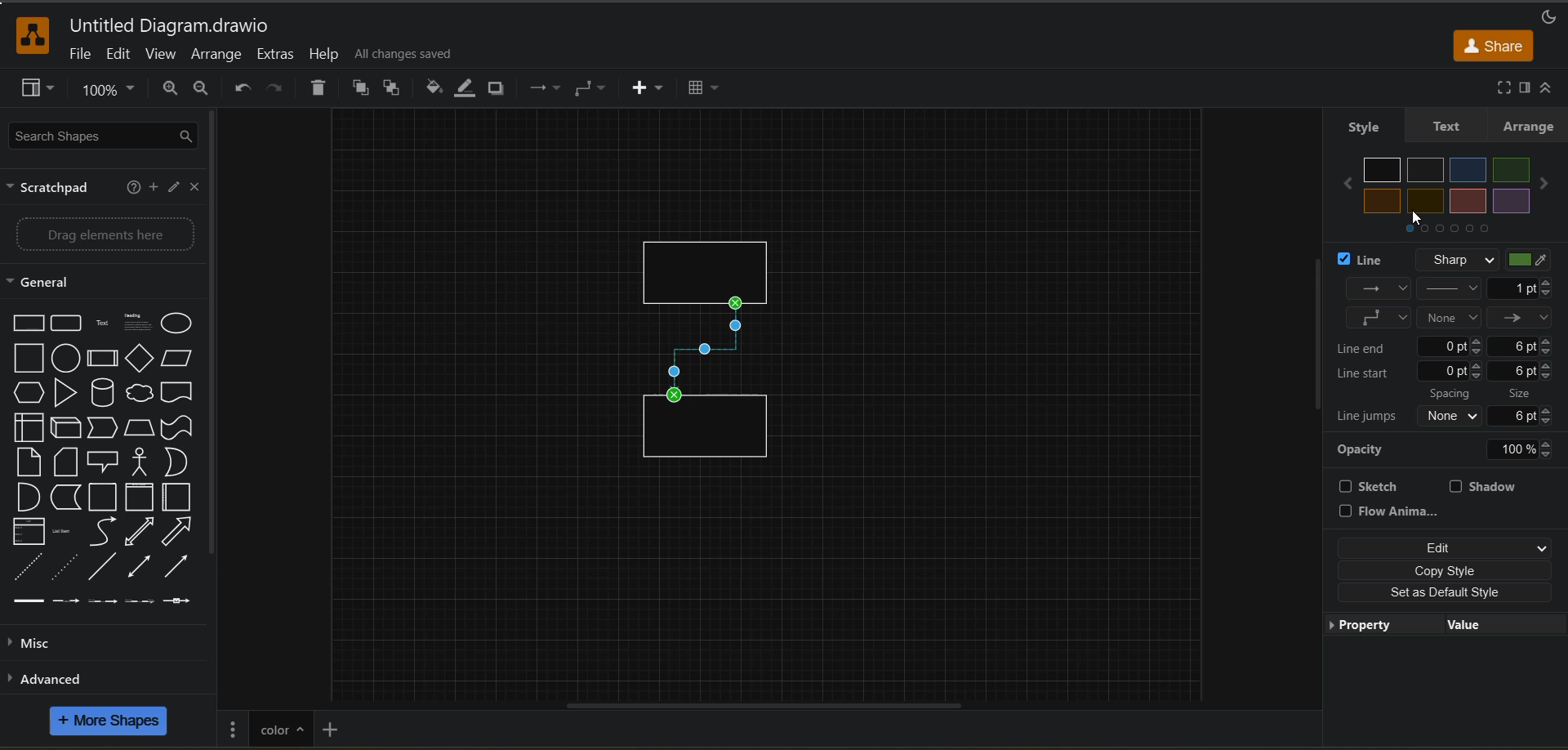 The height and width of the screenshot is (750, 1568). I want to click on Hexagon, so click(28, 393).